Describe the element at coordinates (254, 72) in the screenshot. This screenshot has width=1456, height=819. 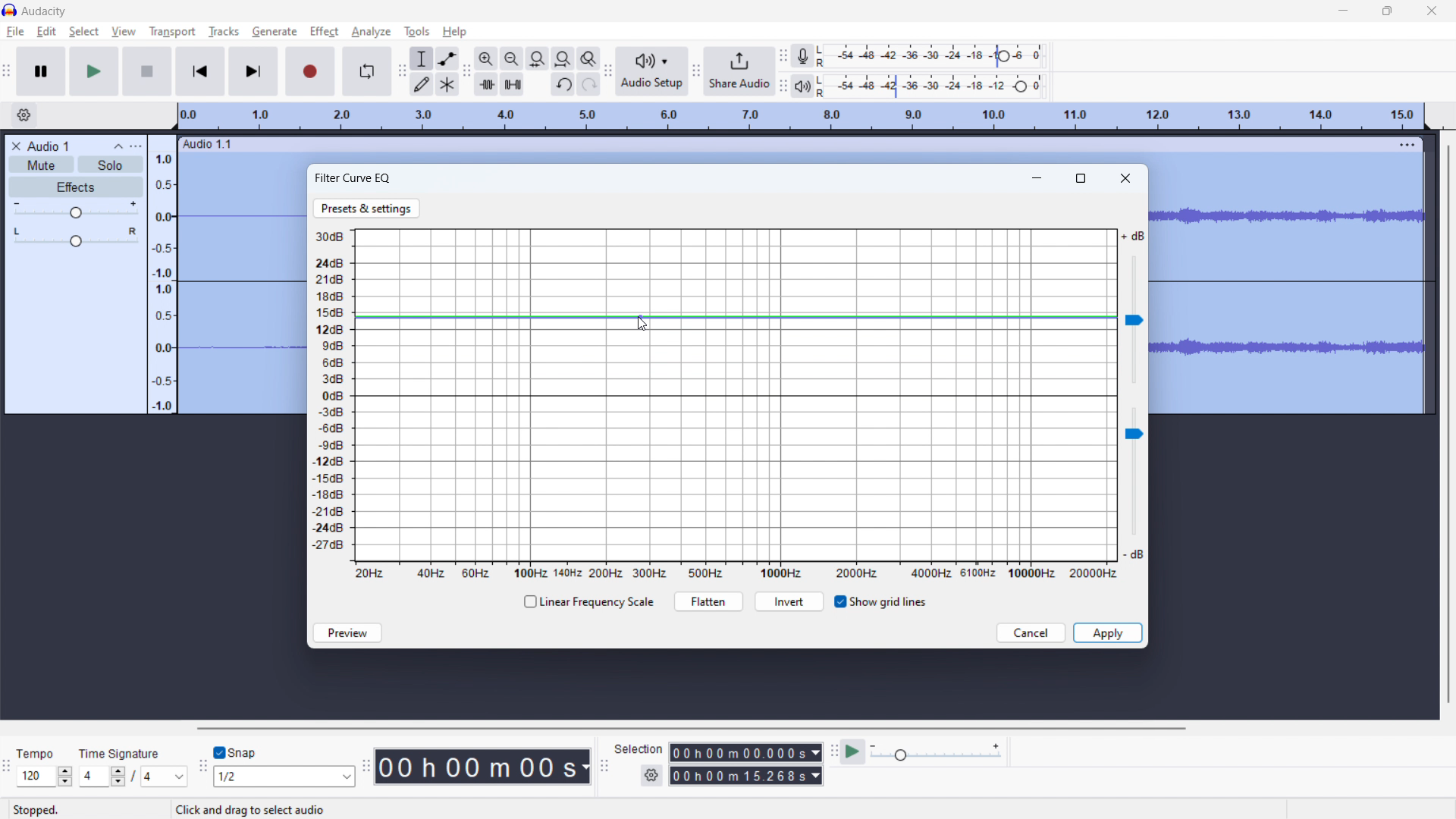
I see `skip to last` at that location.